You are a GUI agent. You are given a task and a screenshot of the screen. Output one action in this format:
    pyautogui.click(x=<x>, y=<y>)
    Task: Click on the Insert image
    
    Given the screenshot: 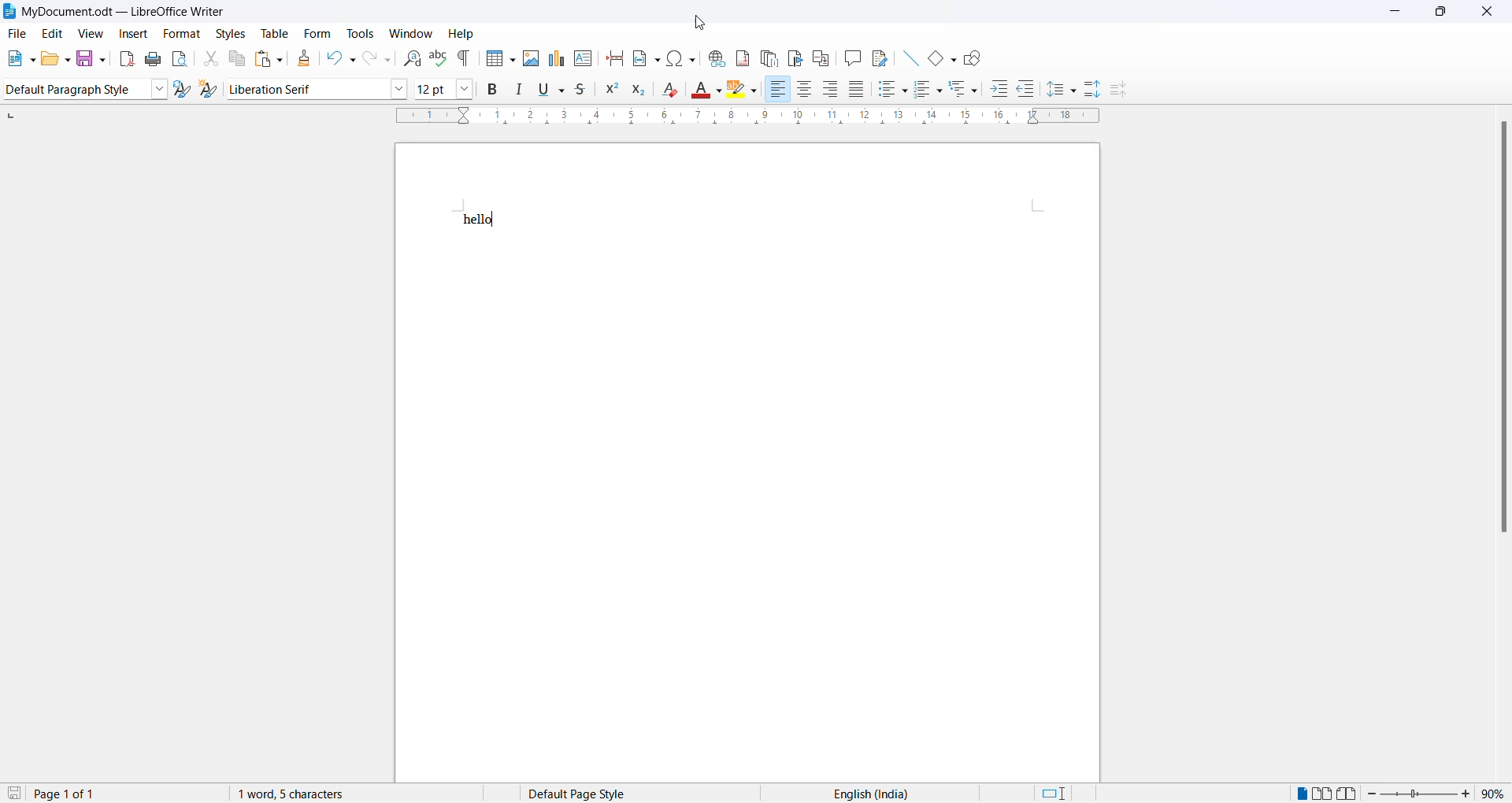 What is the action you would take?
    pyautogui.click(x=528, y=58)
    